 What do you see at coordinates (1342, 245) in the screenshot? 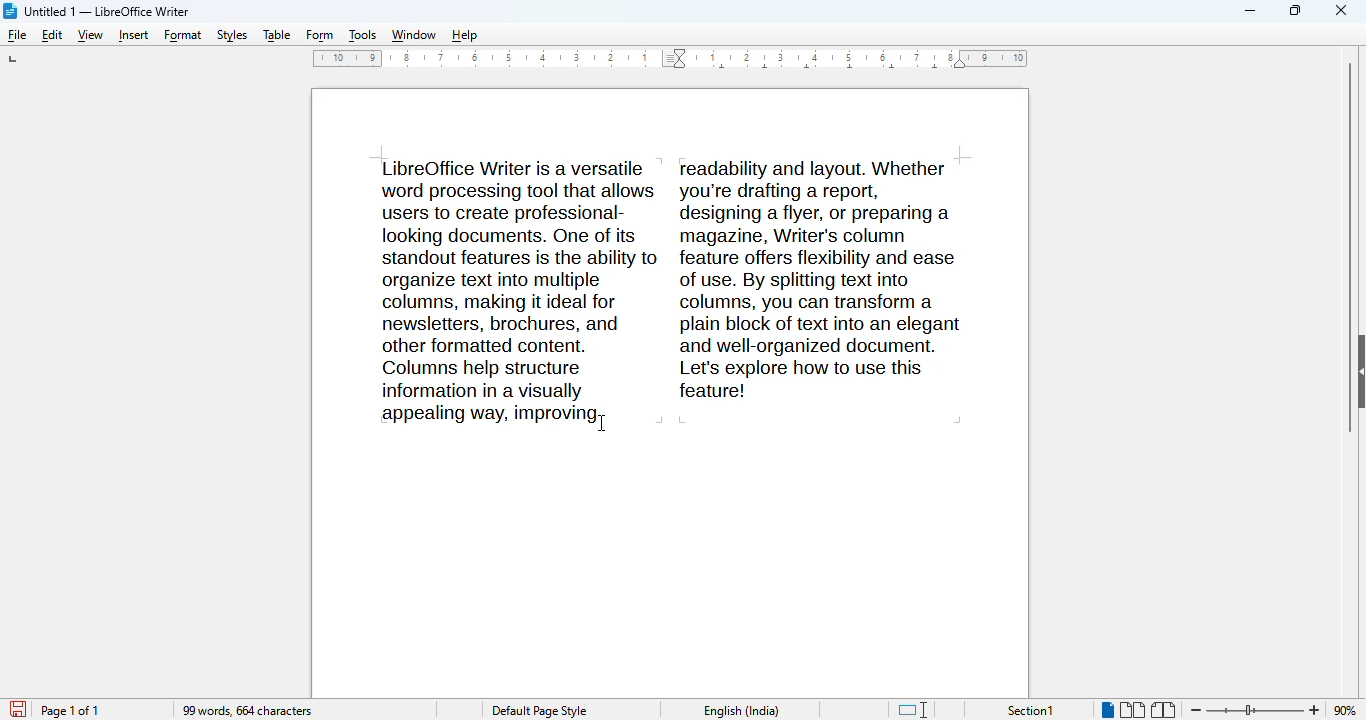
I see `vertical scroll bar` at bounding box center [1342, 245].